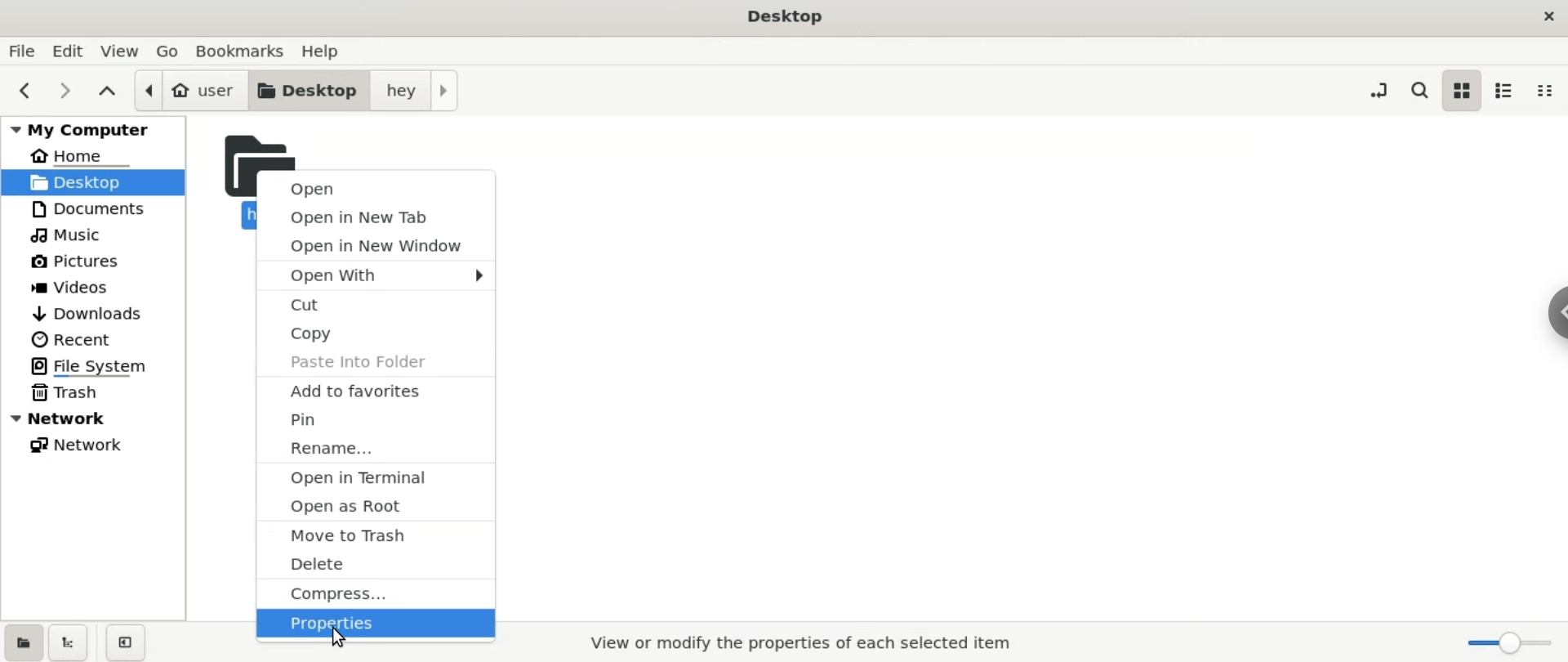  What do you see at coordinates (93, 390) in the screenshot?
I see `trash` at bounding box center [93, 390].